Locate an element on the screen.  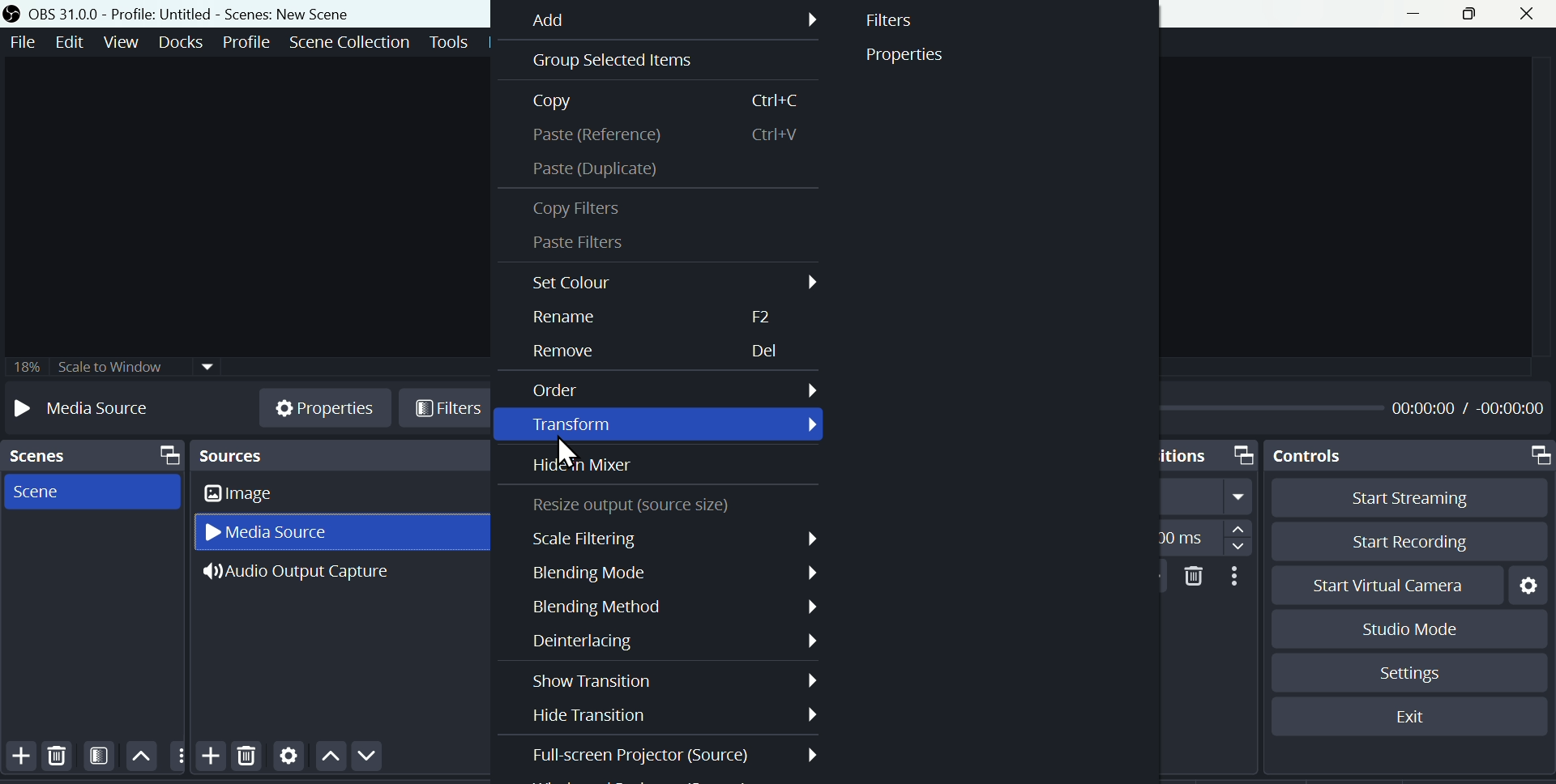
Delete is located at coordinates (1191, 575).